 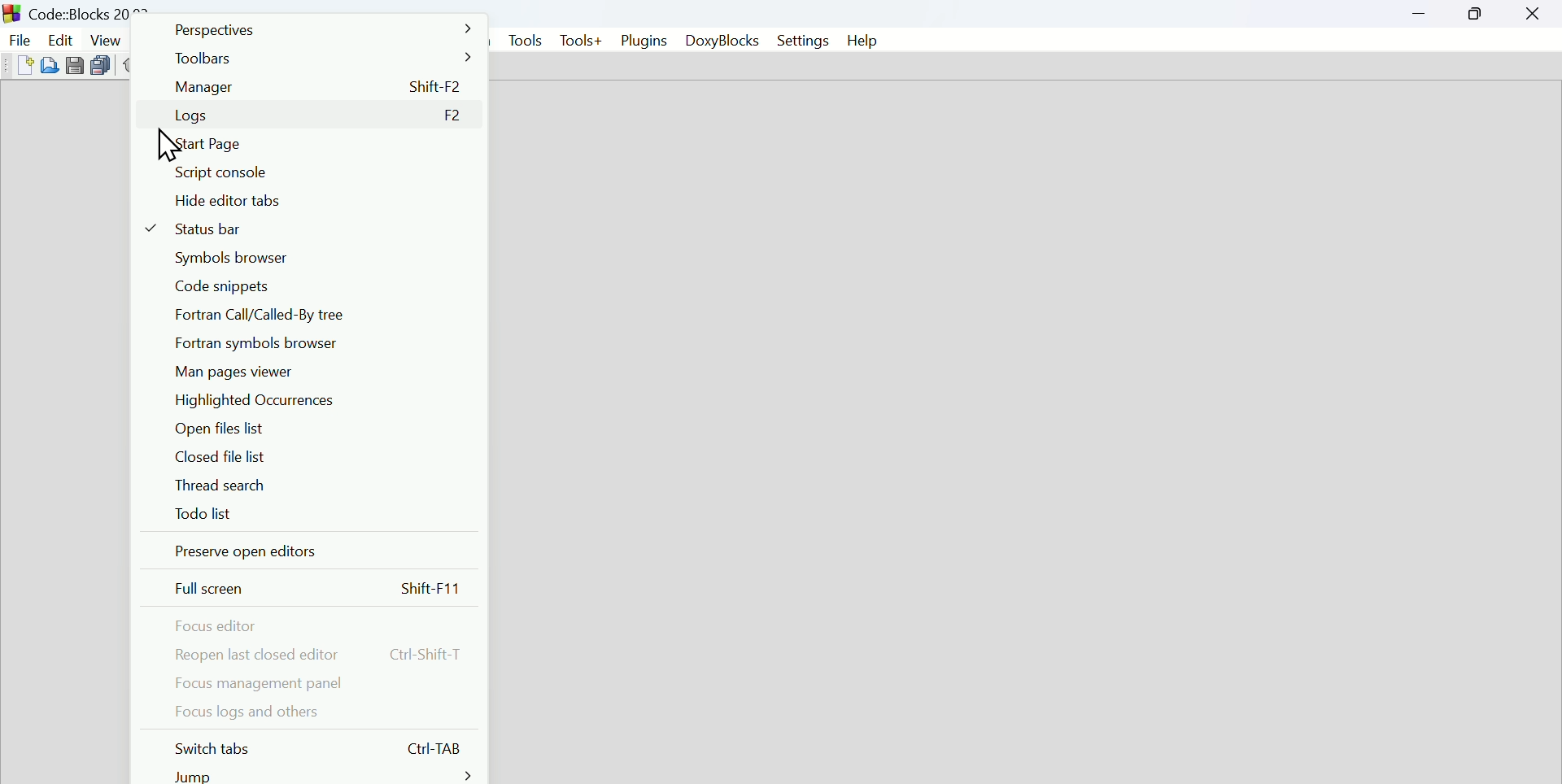 What do you see at coordinates (325, 511) in the screenshot?
I see `To do list` at bounding box center [325, 511].